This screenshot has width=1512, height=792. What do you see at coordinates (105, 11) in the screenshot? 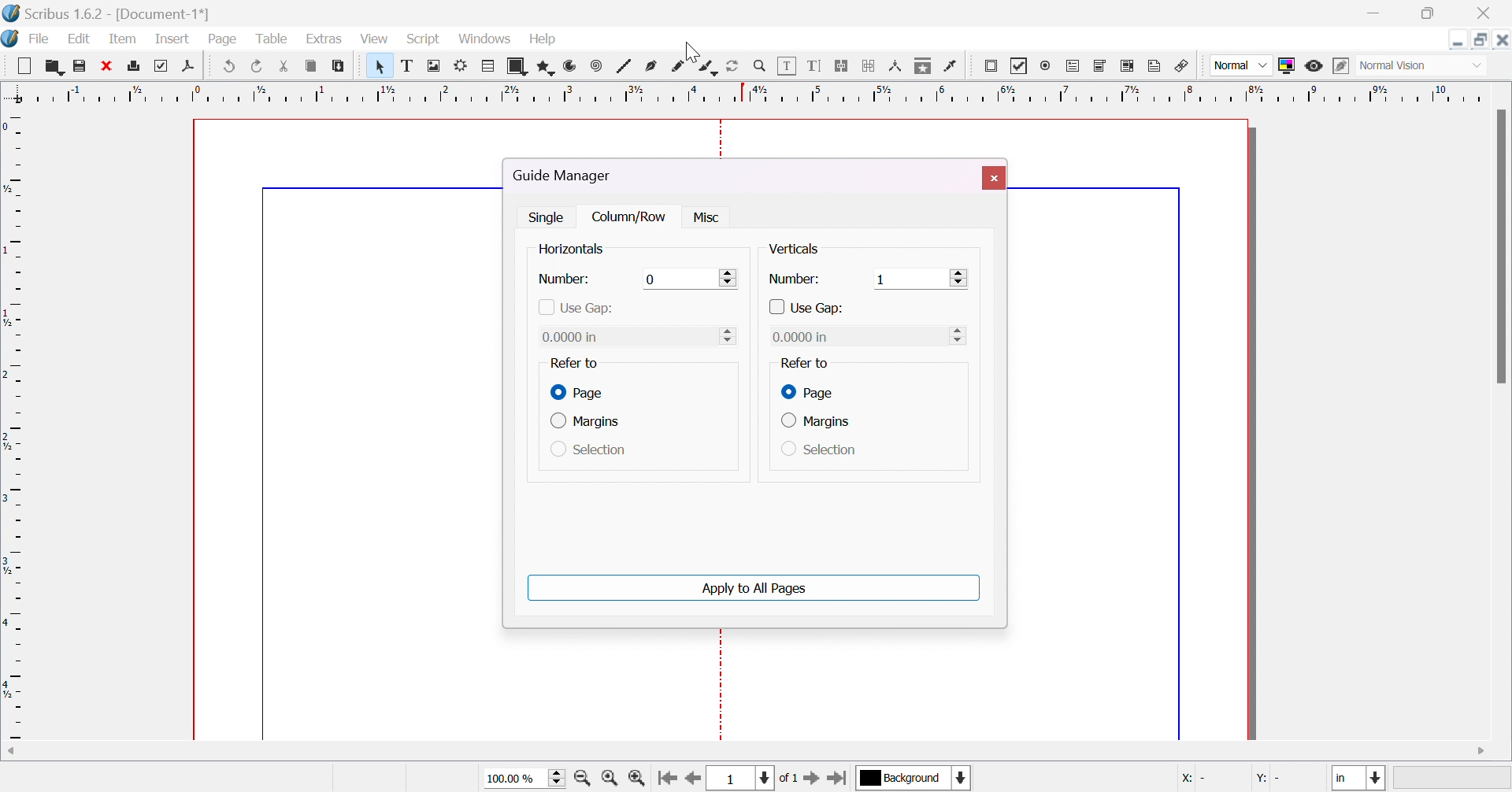
I see `scribus 1.6.2 [Document-1]` at bounding box center [105, 11].